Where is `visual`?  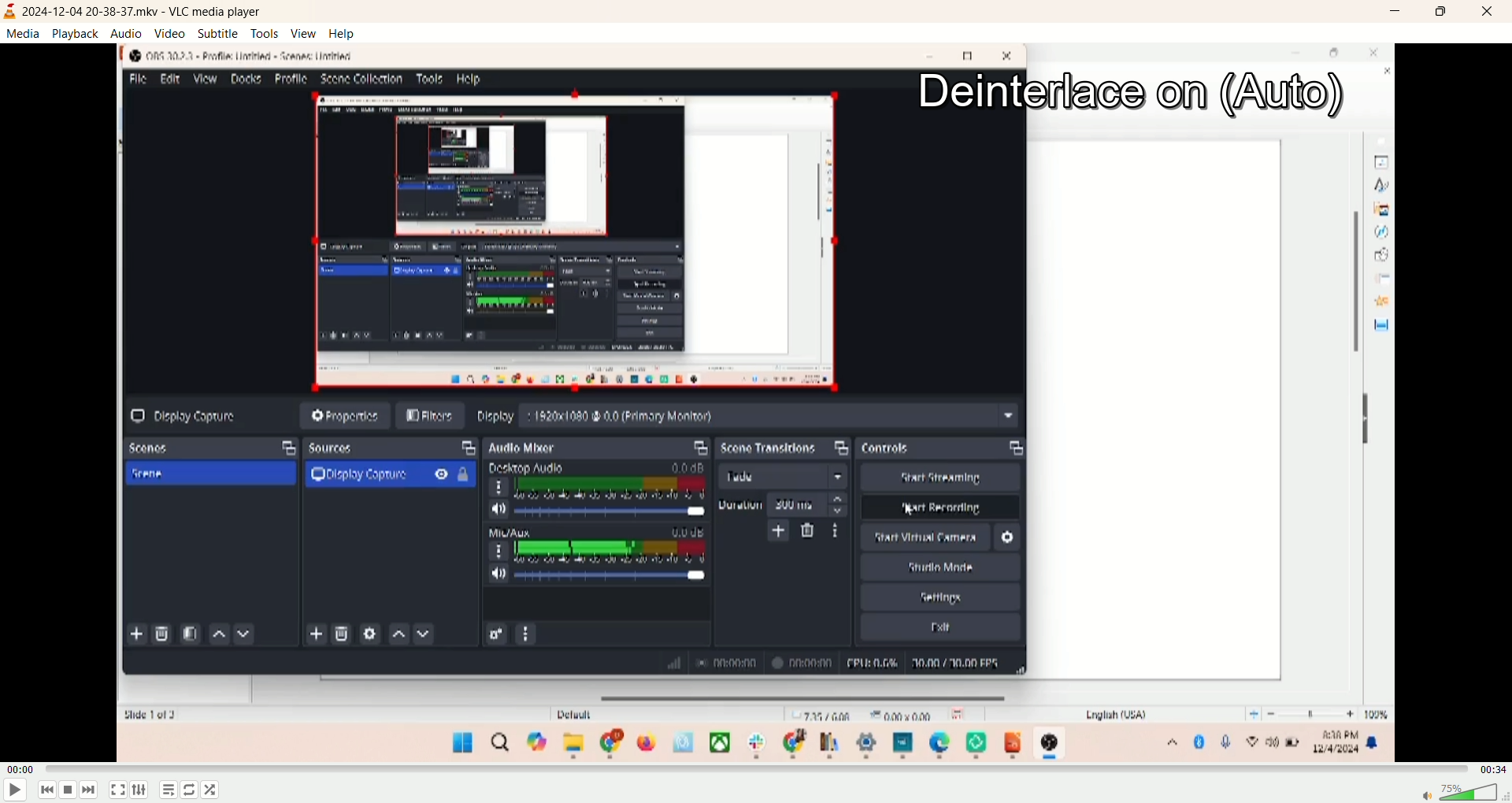 visual is located at coordinates (9, 13).